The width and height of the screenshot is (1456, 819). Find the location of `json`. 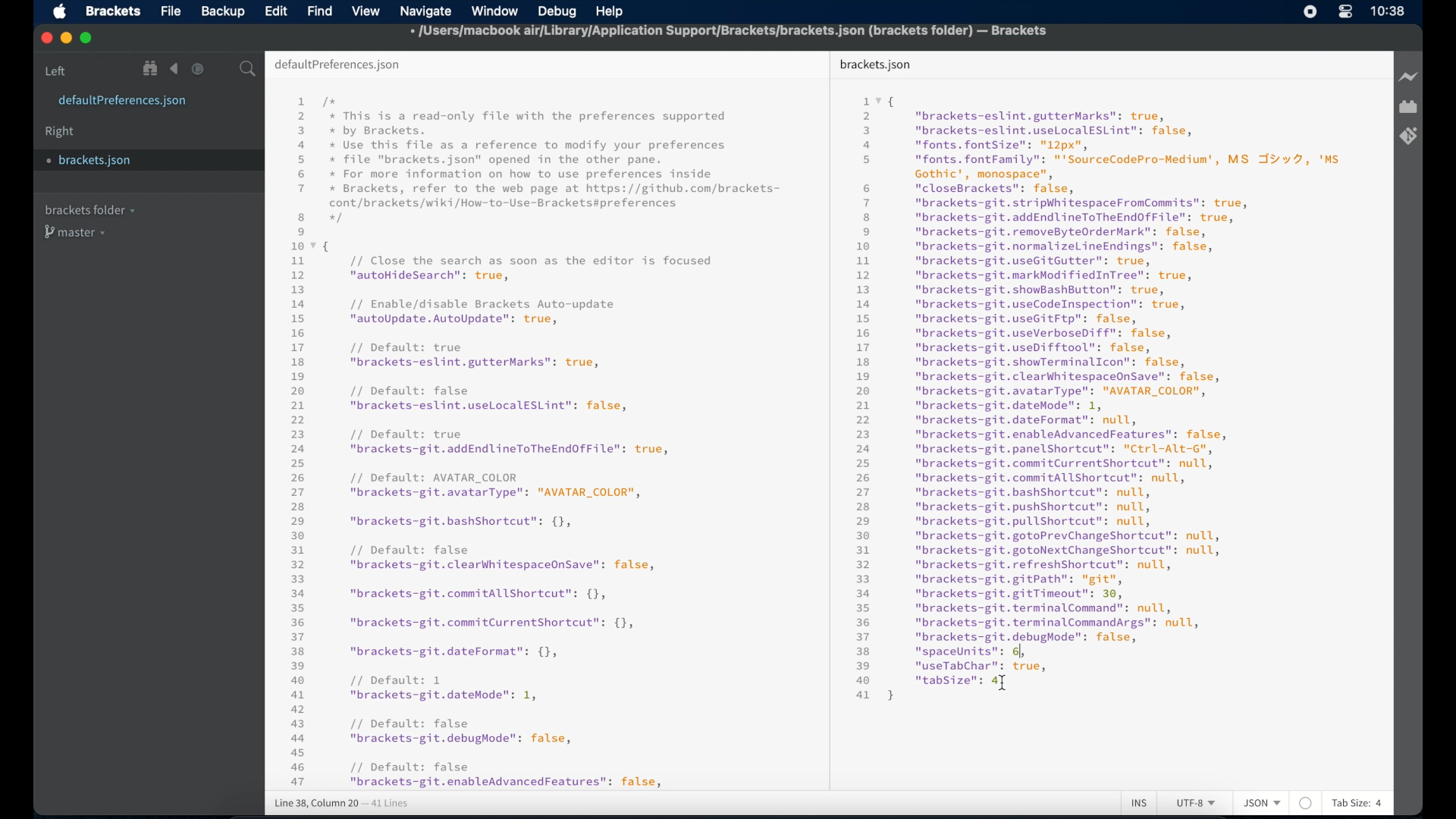

json is located at coordinates (1263, 802).